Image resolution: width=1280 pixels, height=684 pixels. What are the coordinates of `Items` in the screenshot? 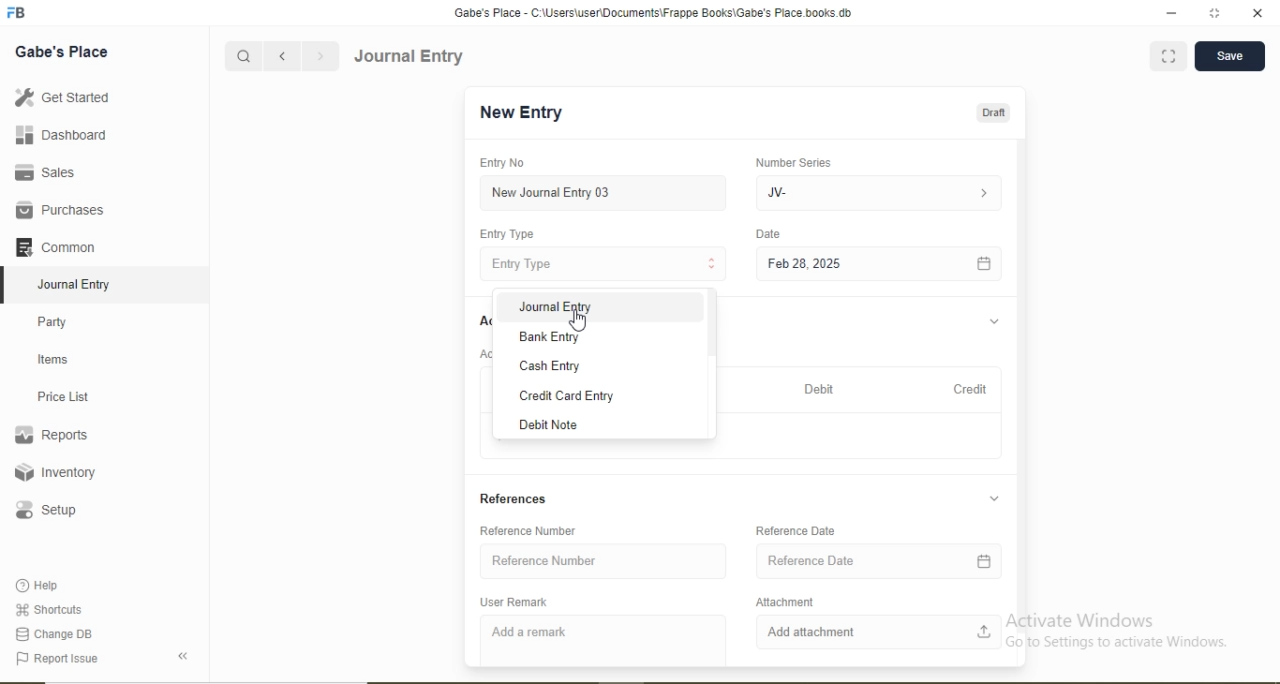 It's located at (53, 359).